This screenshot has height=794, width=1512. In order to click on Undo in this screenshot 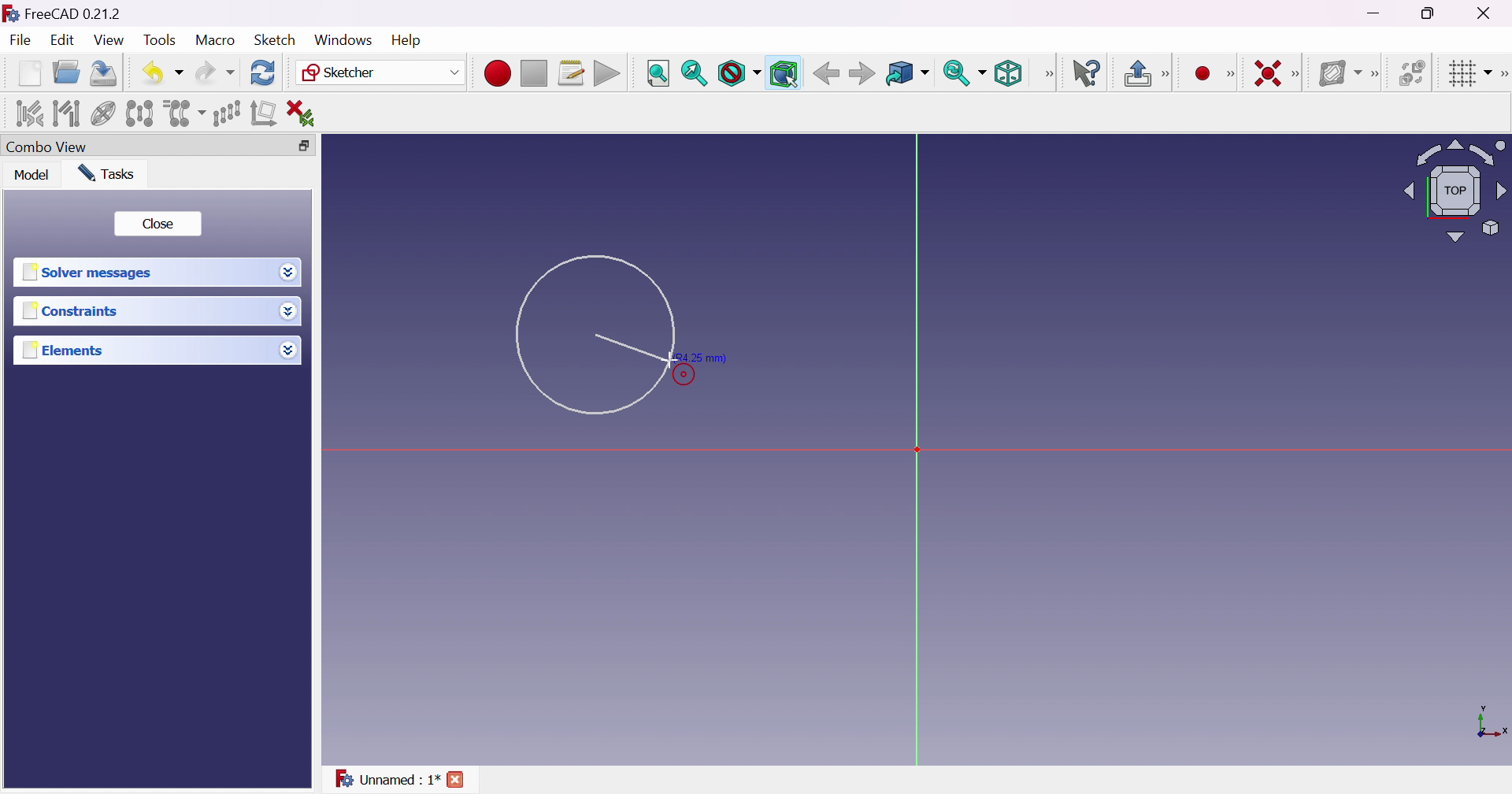, I will do `click(162, 73)`.